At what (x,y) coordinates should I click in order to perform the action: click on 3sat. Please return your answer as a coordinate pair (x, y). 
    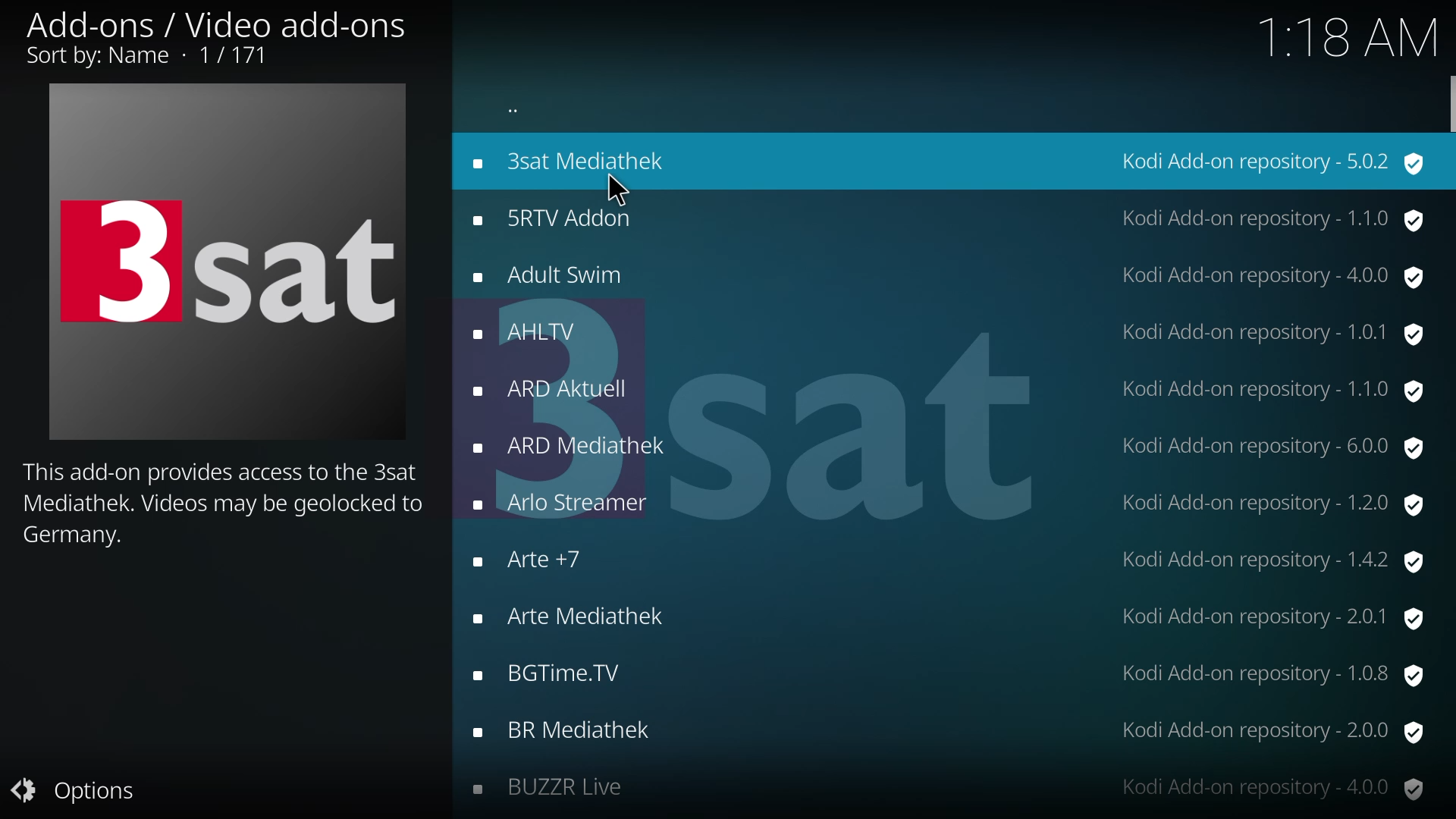
    Looking at the image, I should click on (232, 274).